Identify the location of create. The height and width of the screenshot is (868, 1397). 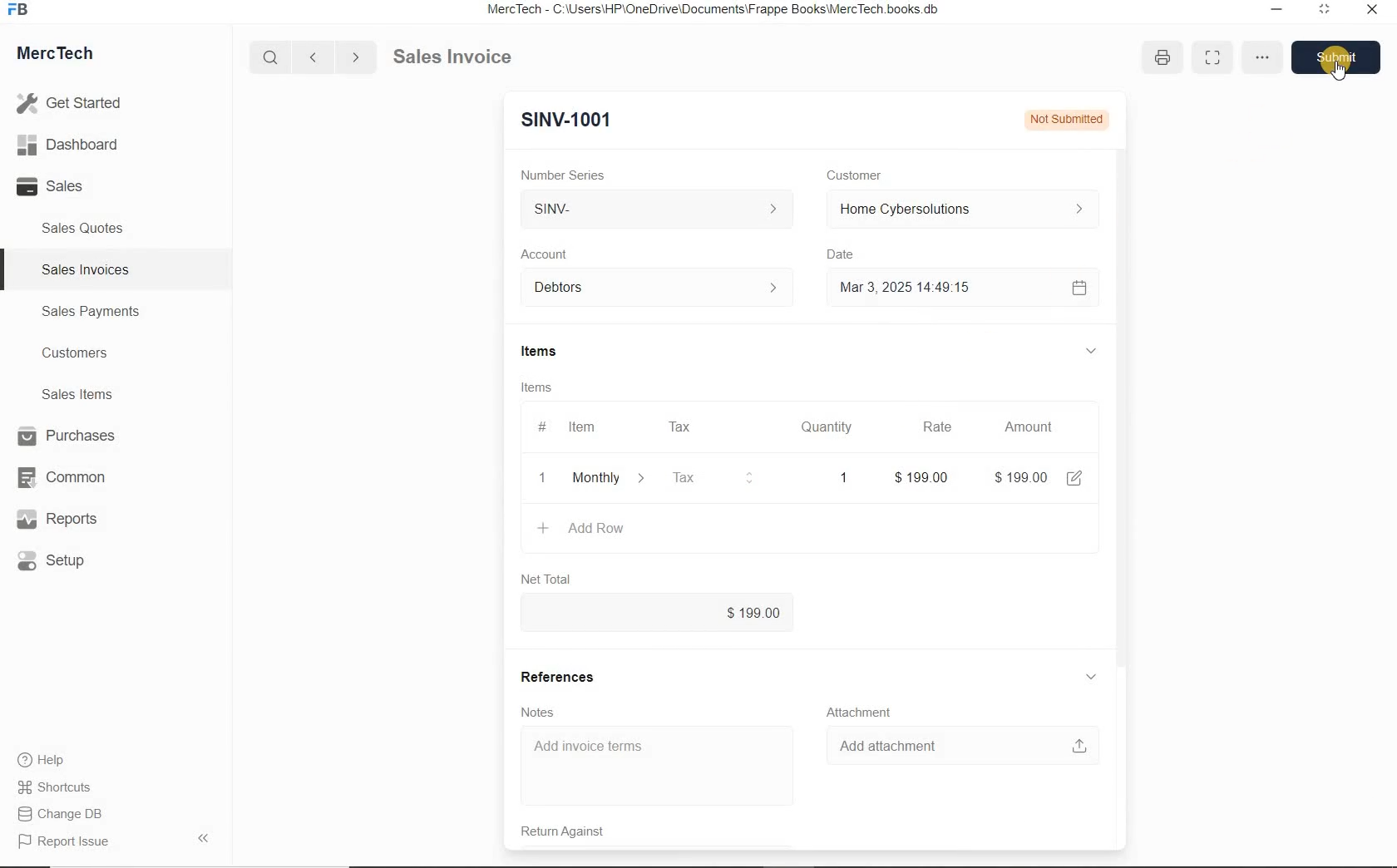
(636, 528).